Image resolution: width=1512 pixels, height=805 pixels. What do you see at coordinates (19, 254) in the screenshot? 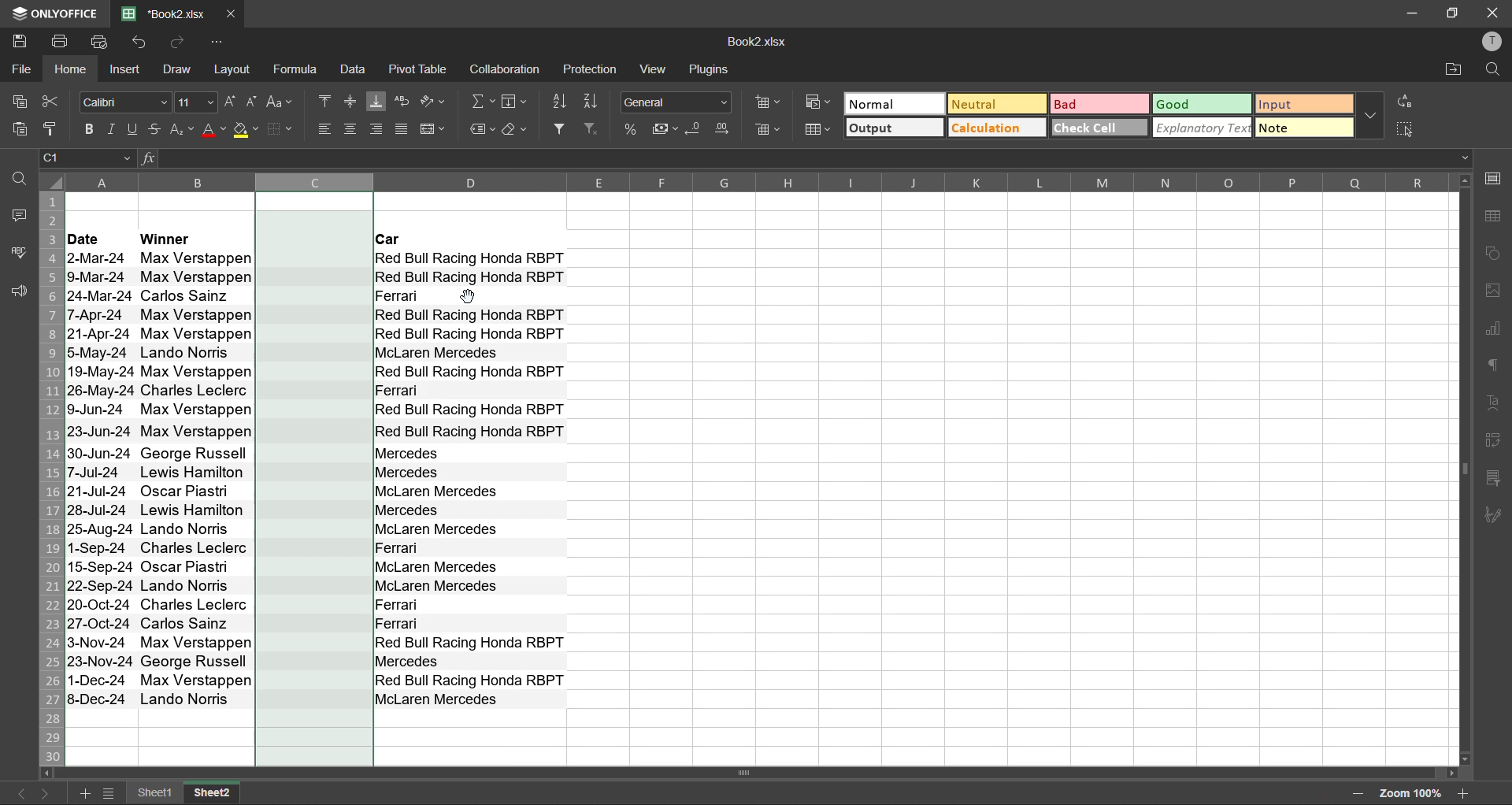
I see `spellcheck` at bounding box center [19, 254].